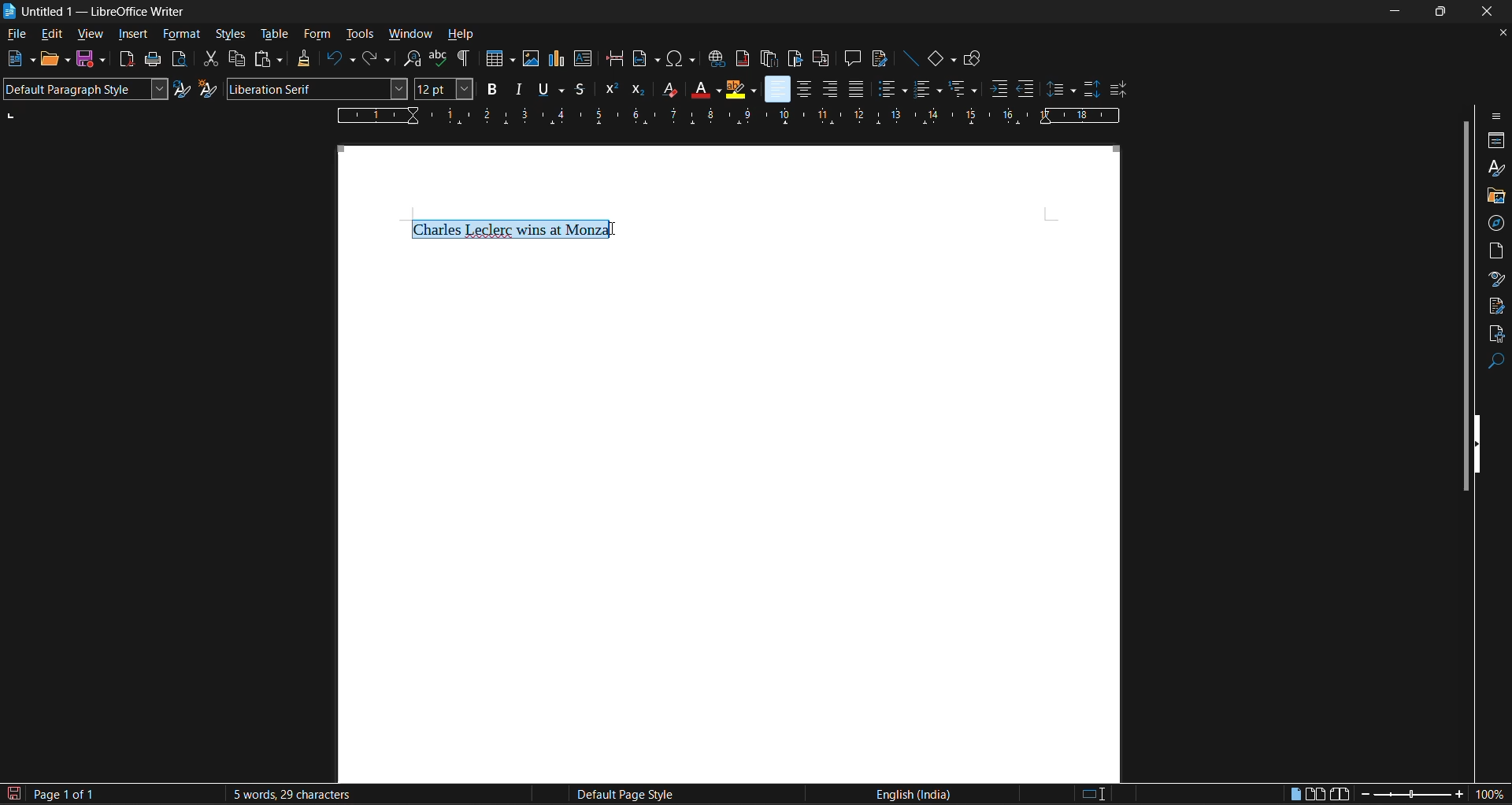 The image size is (1512, 805). Describe the element at coordinates (305, 58) in the screenshot. I see `clone formatting` at that location.